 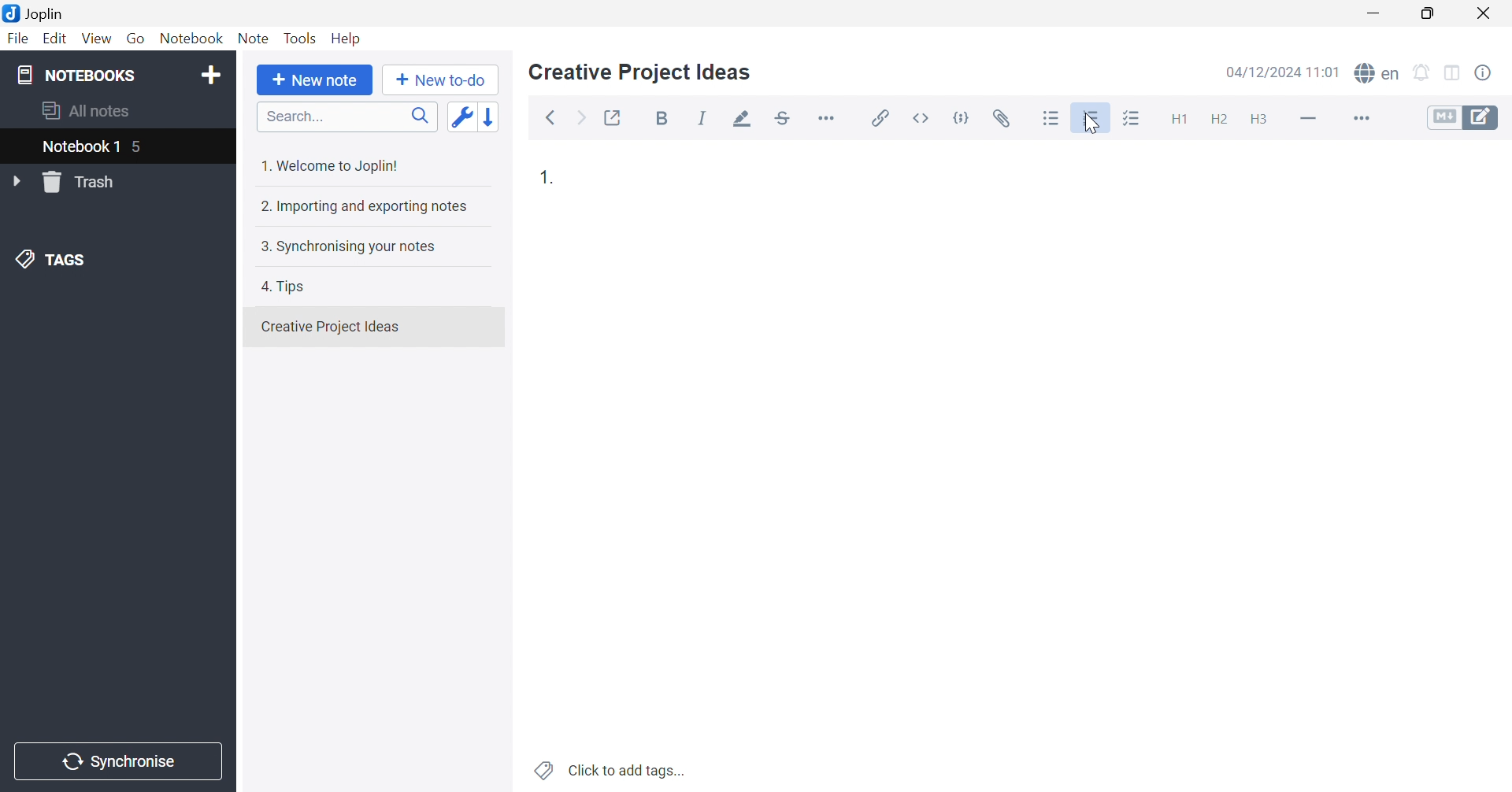 I want to click on Notebook 1, so click(x=79, y=148).